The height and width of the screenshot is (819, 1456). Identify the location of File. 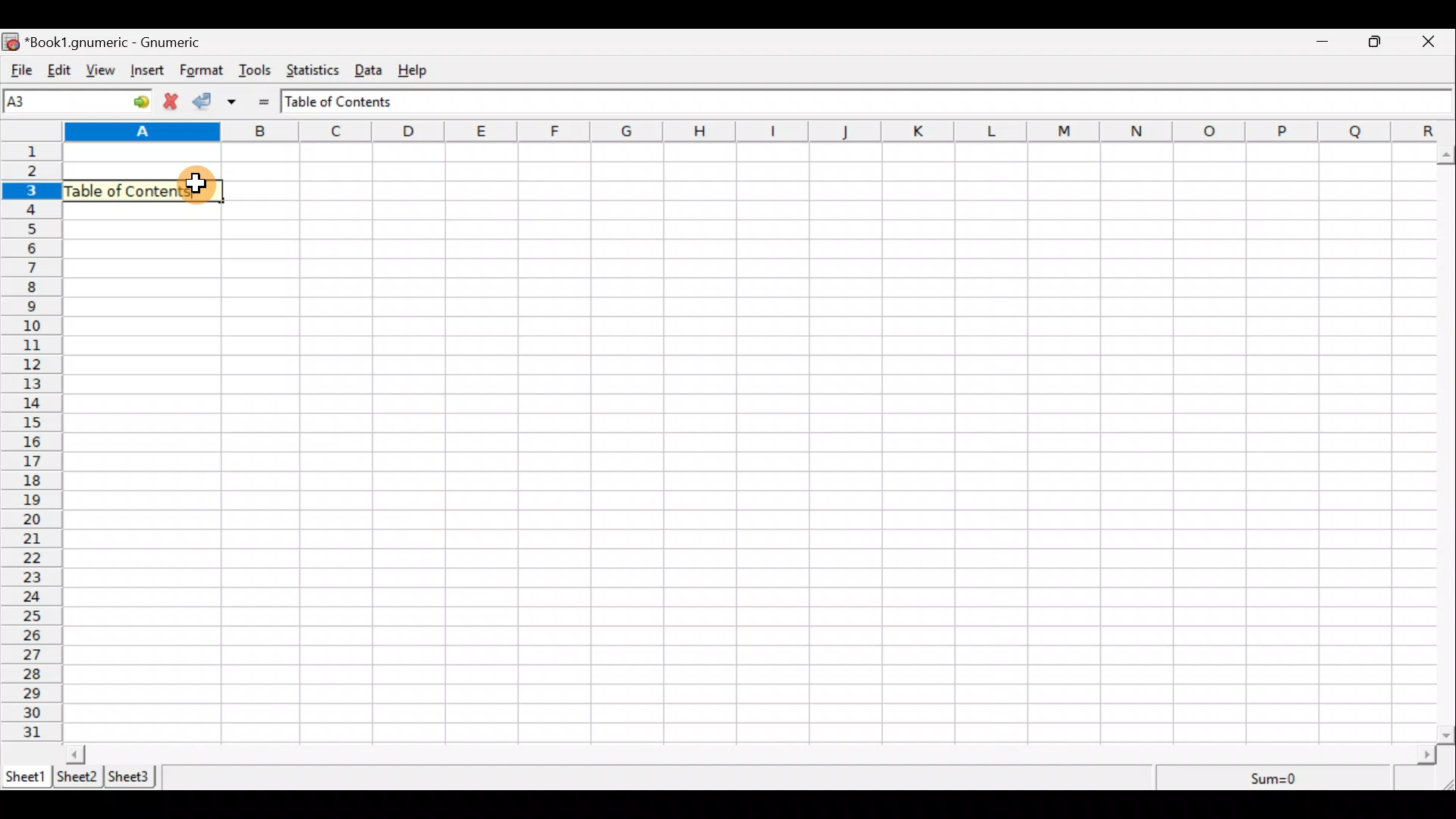
(19, 71).